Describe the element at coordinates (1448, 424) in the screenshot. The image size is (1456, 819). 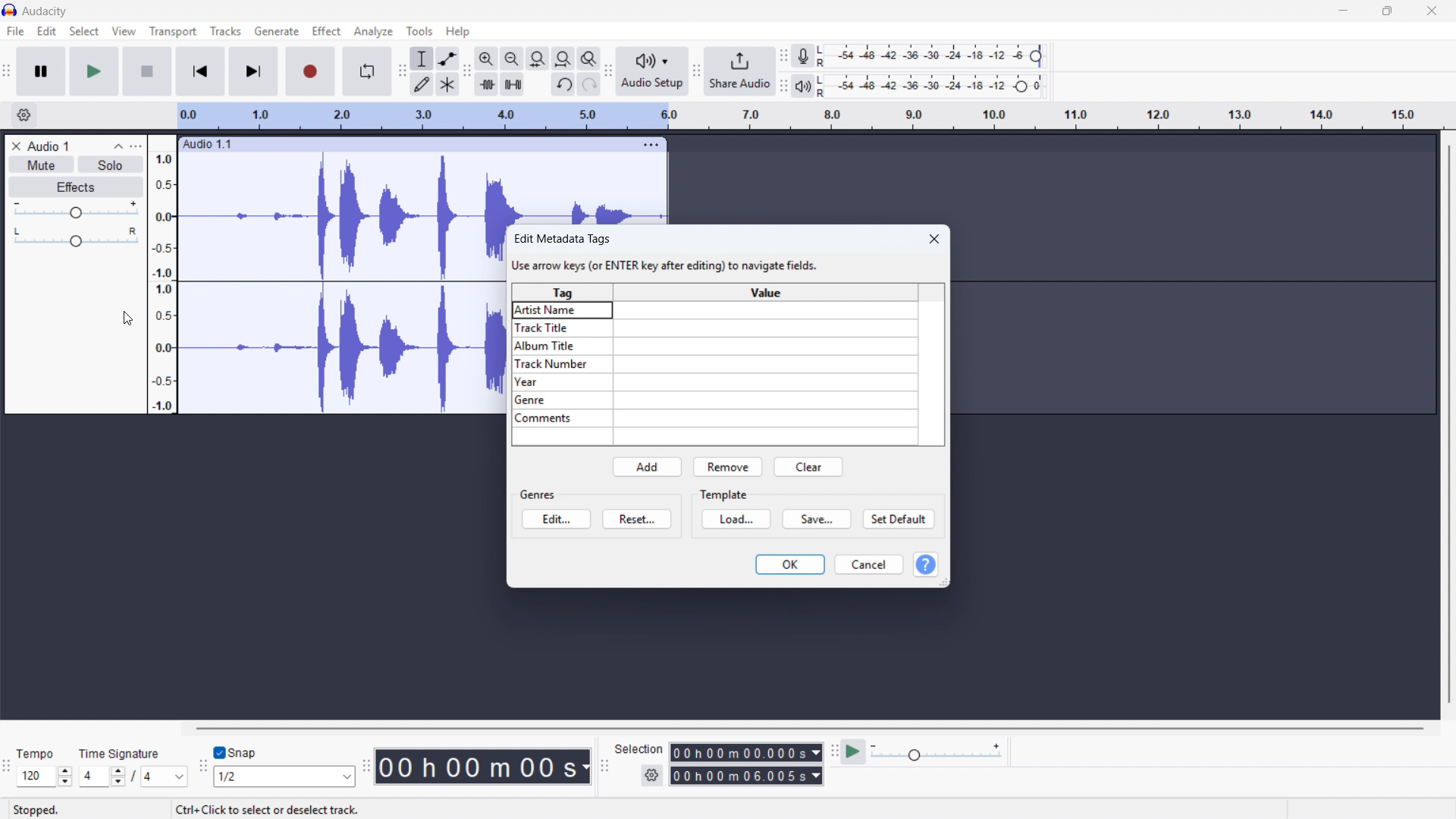
I see `vertical scrollbar` at that location.